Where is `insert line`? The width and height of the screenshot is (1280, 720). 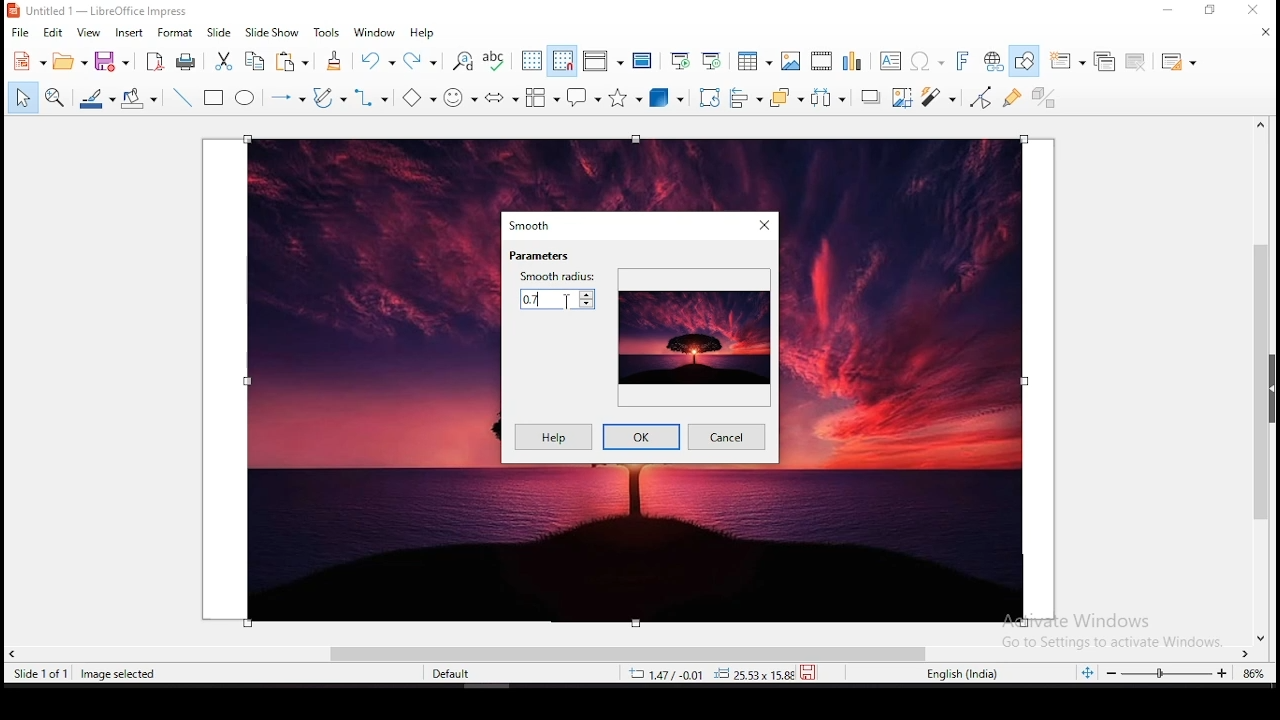 insert line is located at coordinates (181, 97).